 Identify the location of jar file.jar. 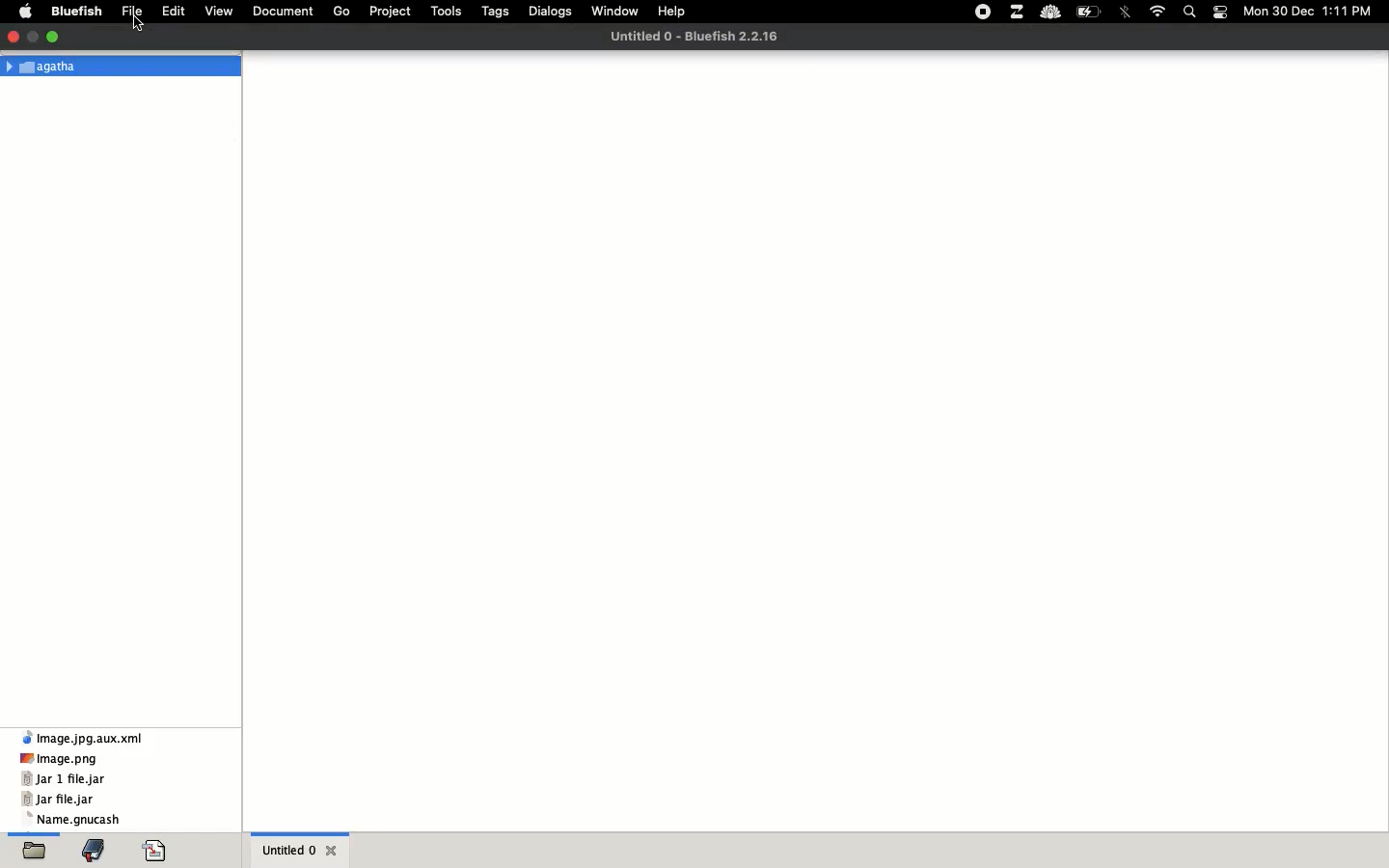
(59, 800).